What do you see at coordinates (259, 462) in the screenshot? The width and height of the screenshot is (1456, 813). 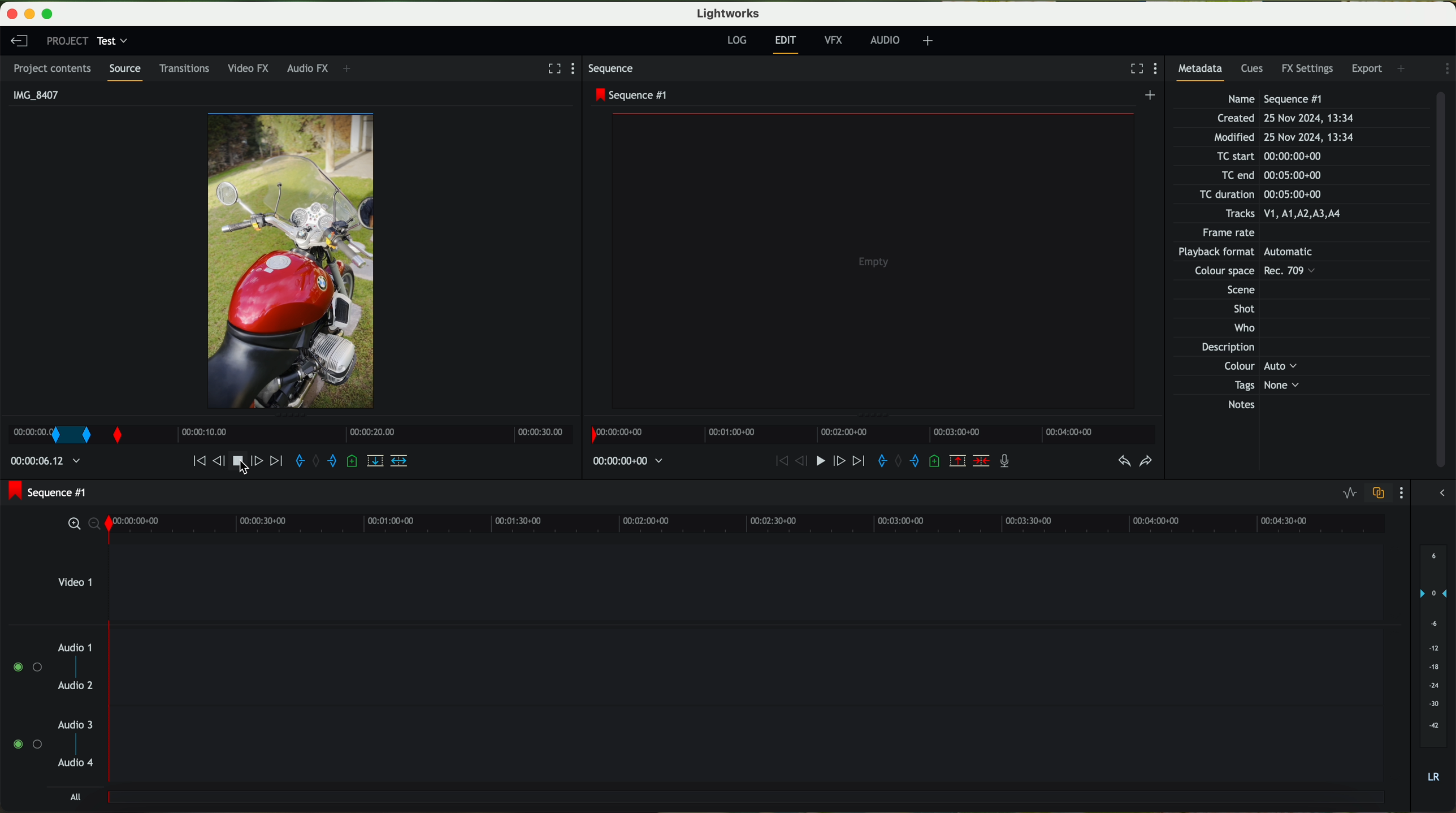 I see `nudge one frame forward` at bounding box center [259, 462].